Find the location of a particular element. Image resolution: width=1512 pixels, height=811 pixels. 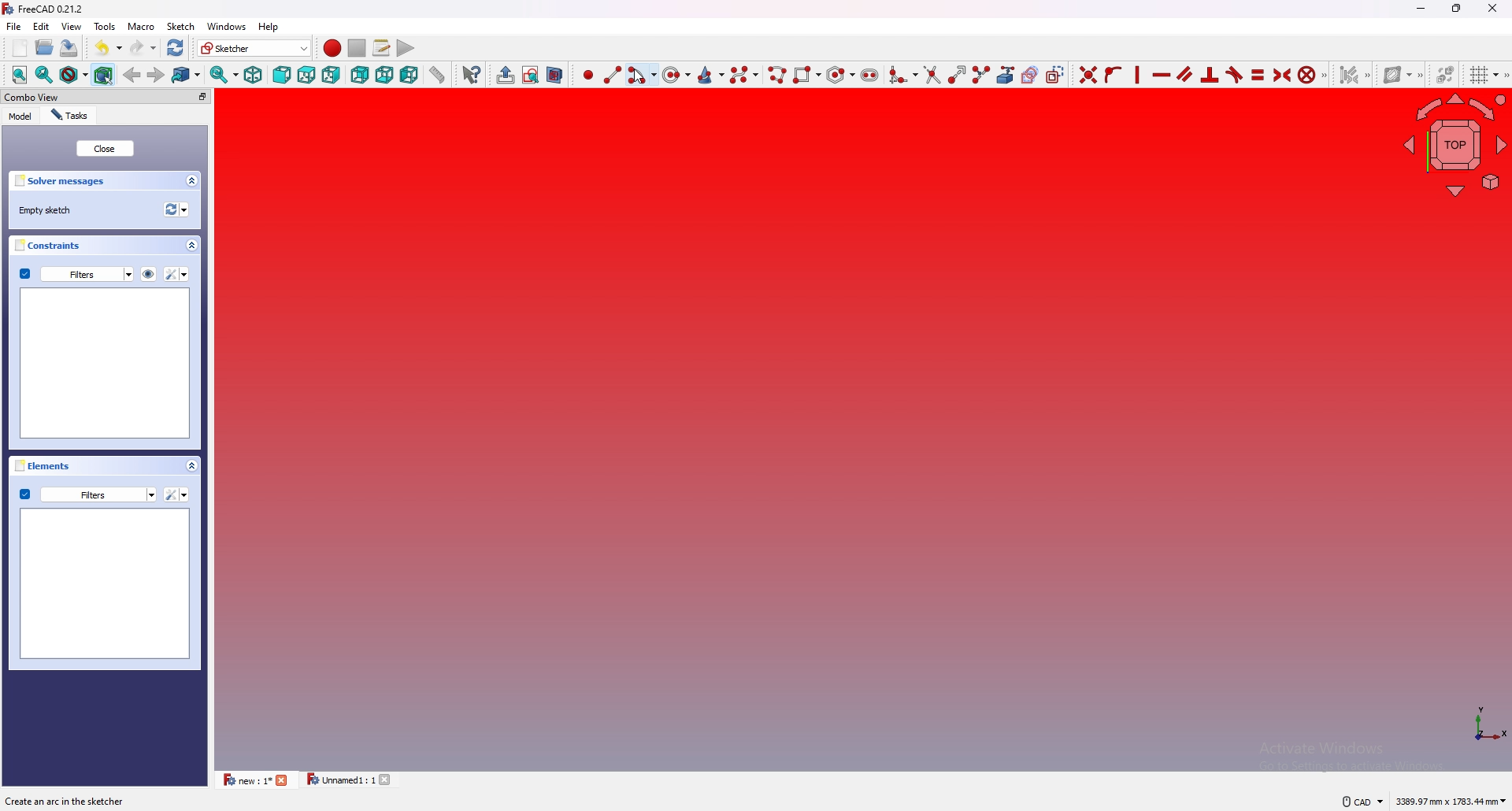

pop out is located at coordinates (202, 97).